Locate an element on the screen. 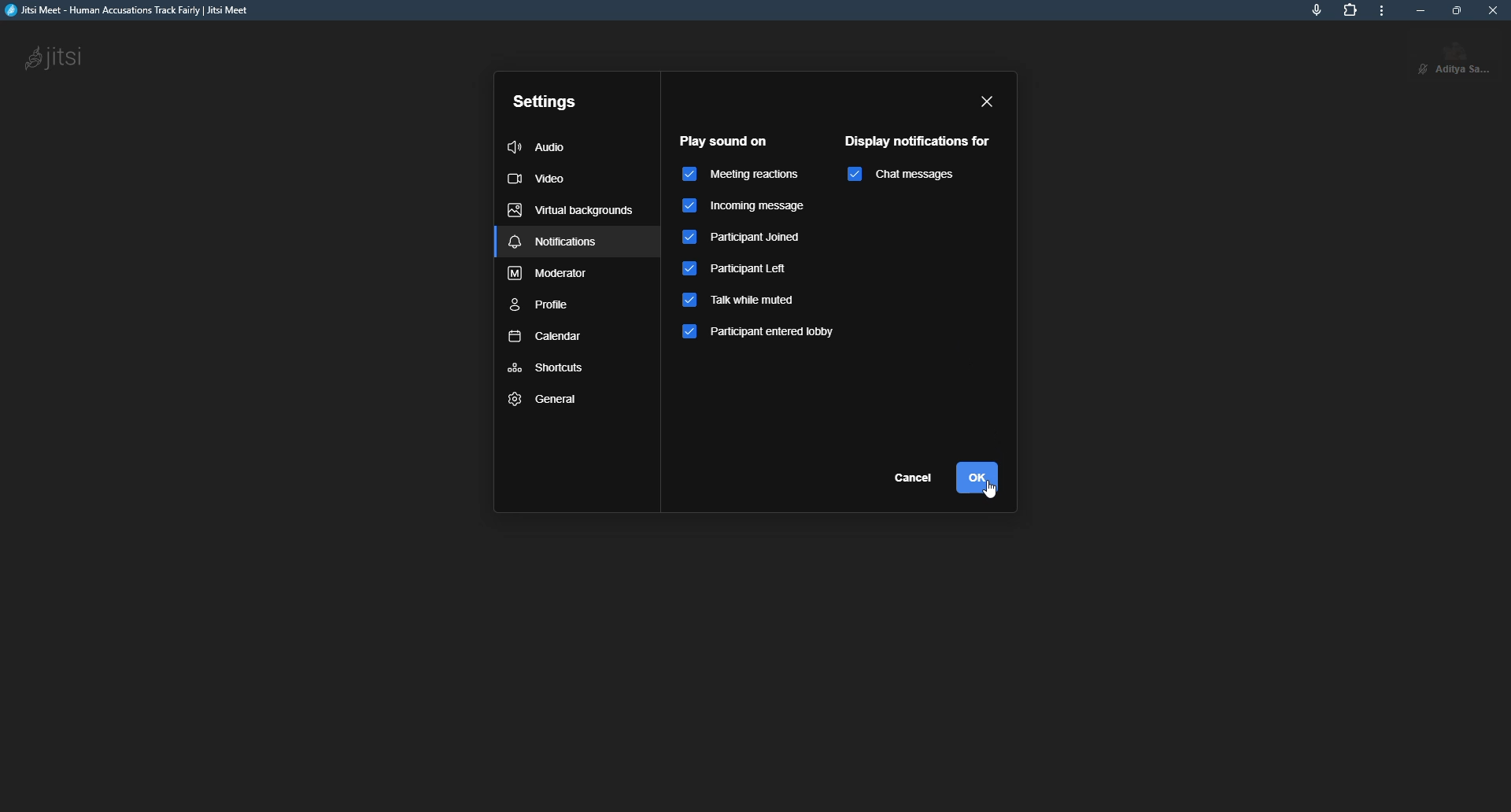  meeting reactions is located at coordinates (740, 173).